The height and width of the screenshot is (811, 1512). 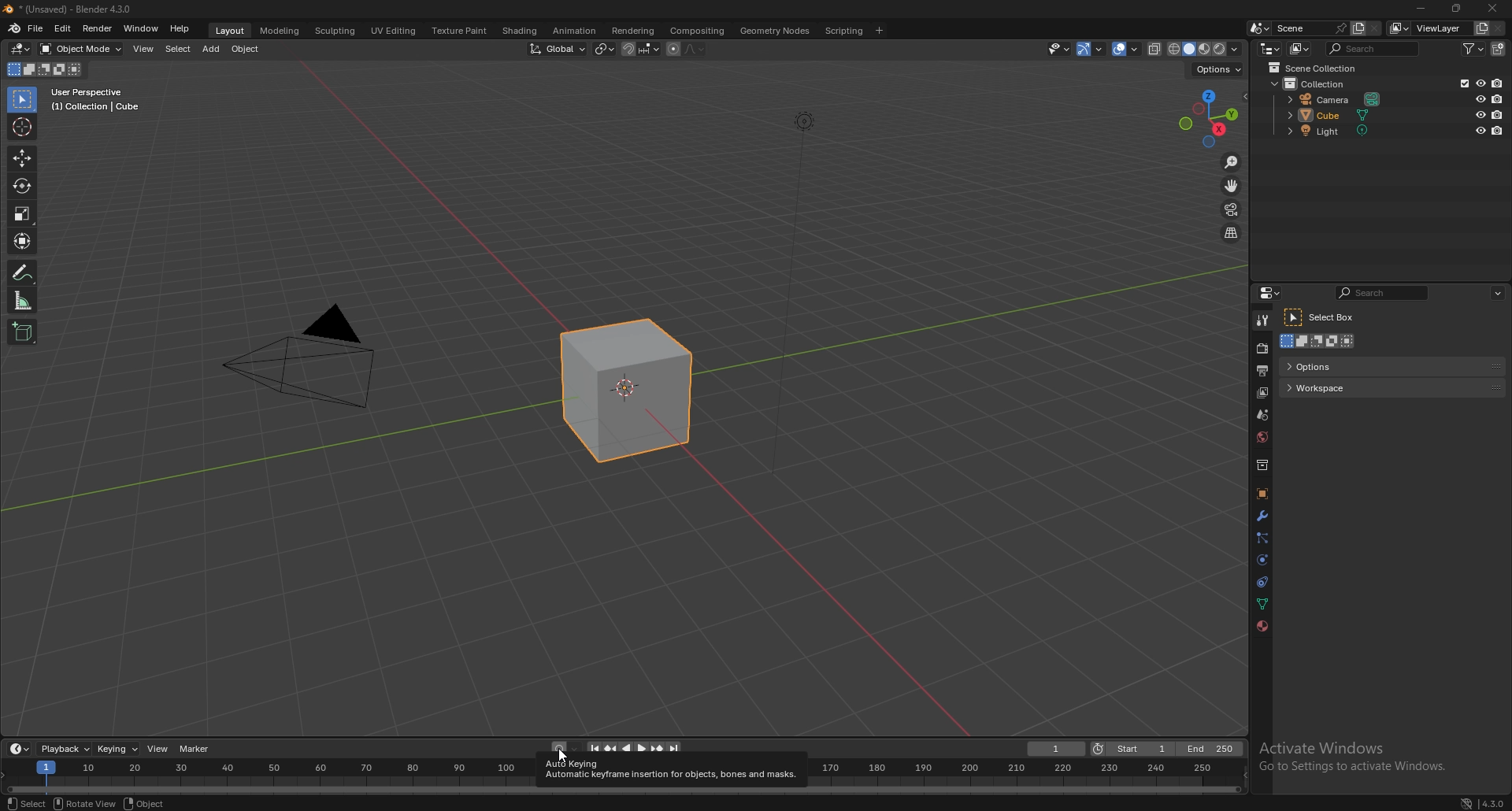 What do you see at coordinates (1127, 49) in the screenshot?
I see `overlays` at bounding box center [1127, 49].